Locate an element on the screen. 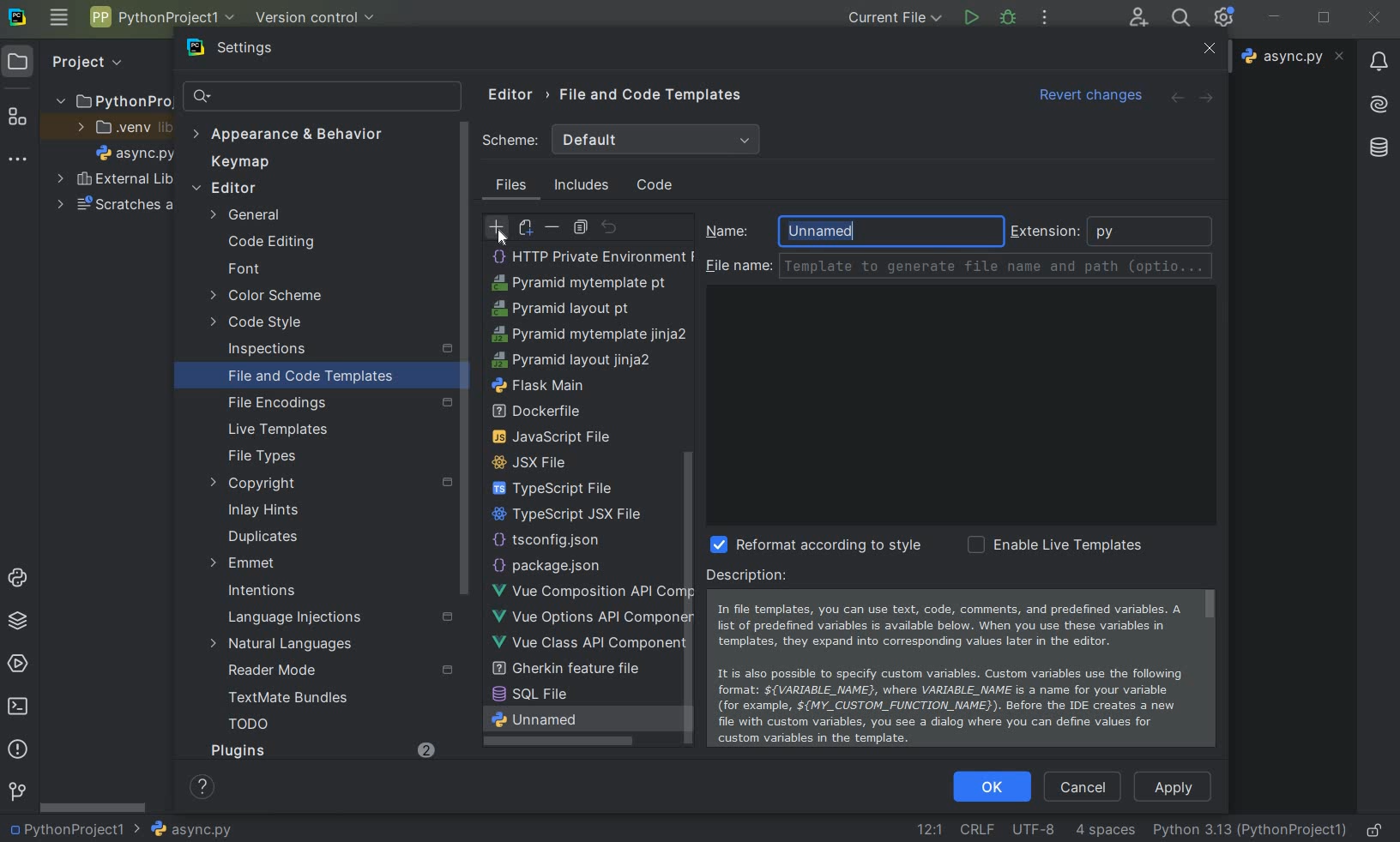 The height and width of the screenshot is (842, 1400). python console is located at coordinates (18, 575).